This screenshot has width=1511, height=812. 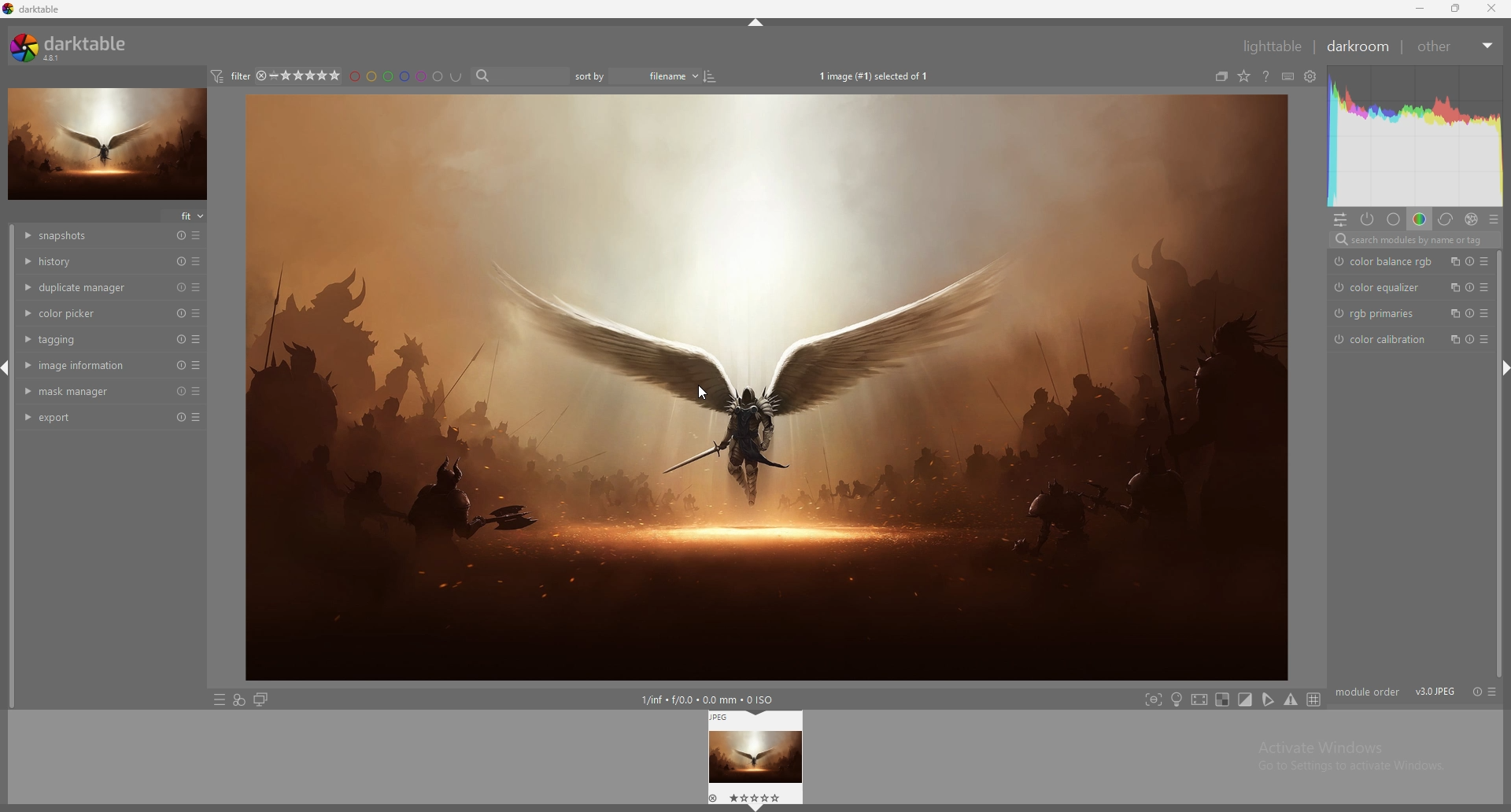 What do you see at coordinates (1394, 220) in the screenshot?
I see `base` at bounding box center [1394, 220].